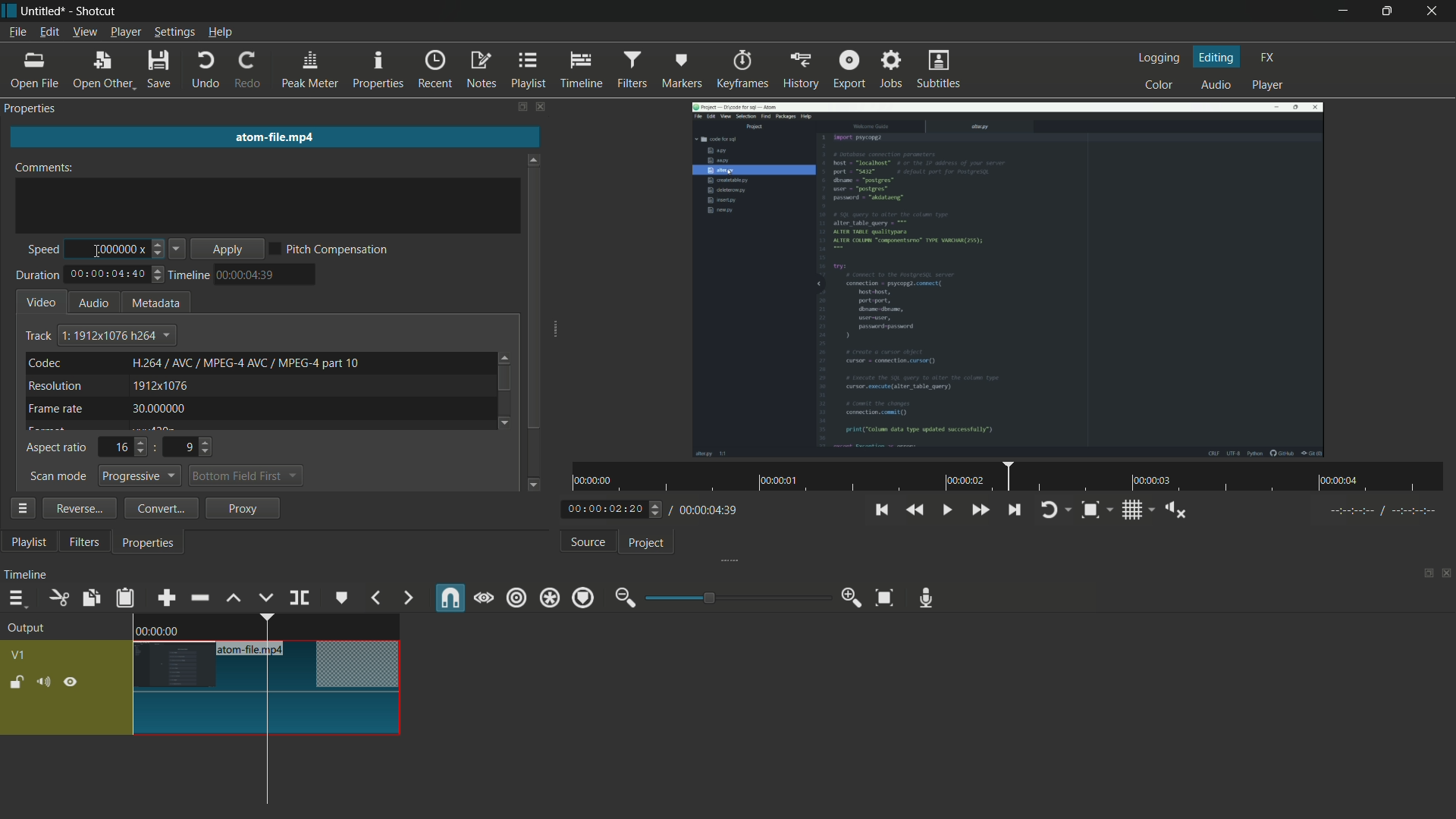 The width and height of the screenshot is (1456, 819). What do you see at coordinates (66, 11) in the screenshot?
I see `~ Untitled* - Shotcut` at bounding box center [66, 11].